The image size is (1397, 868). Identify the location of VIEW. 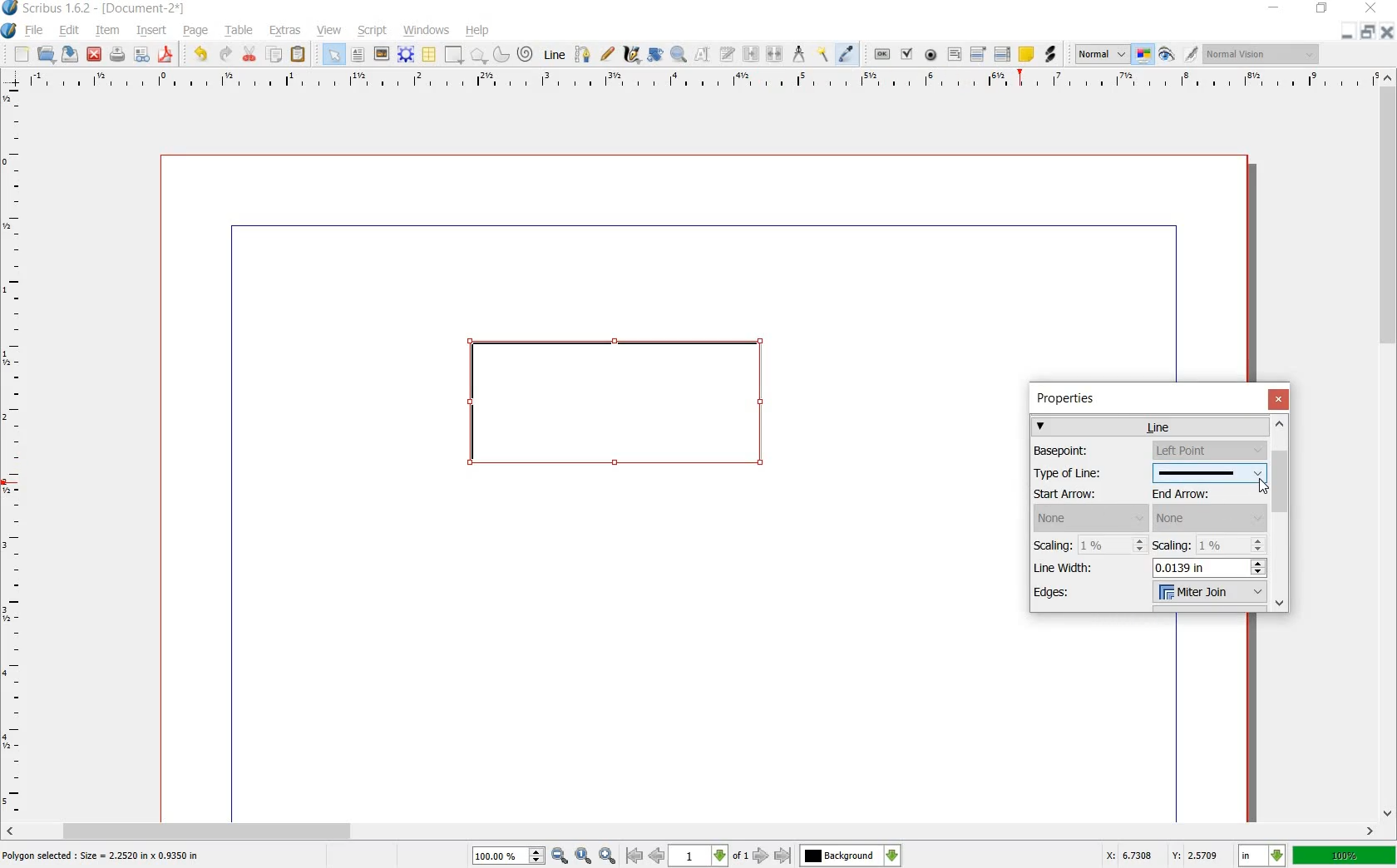
(328, 32).